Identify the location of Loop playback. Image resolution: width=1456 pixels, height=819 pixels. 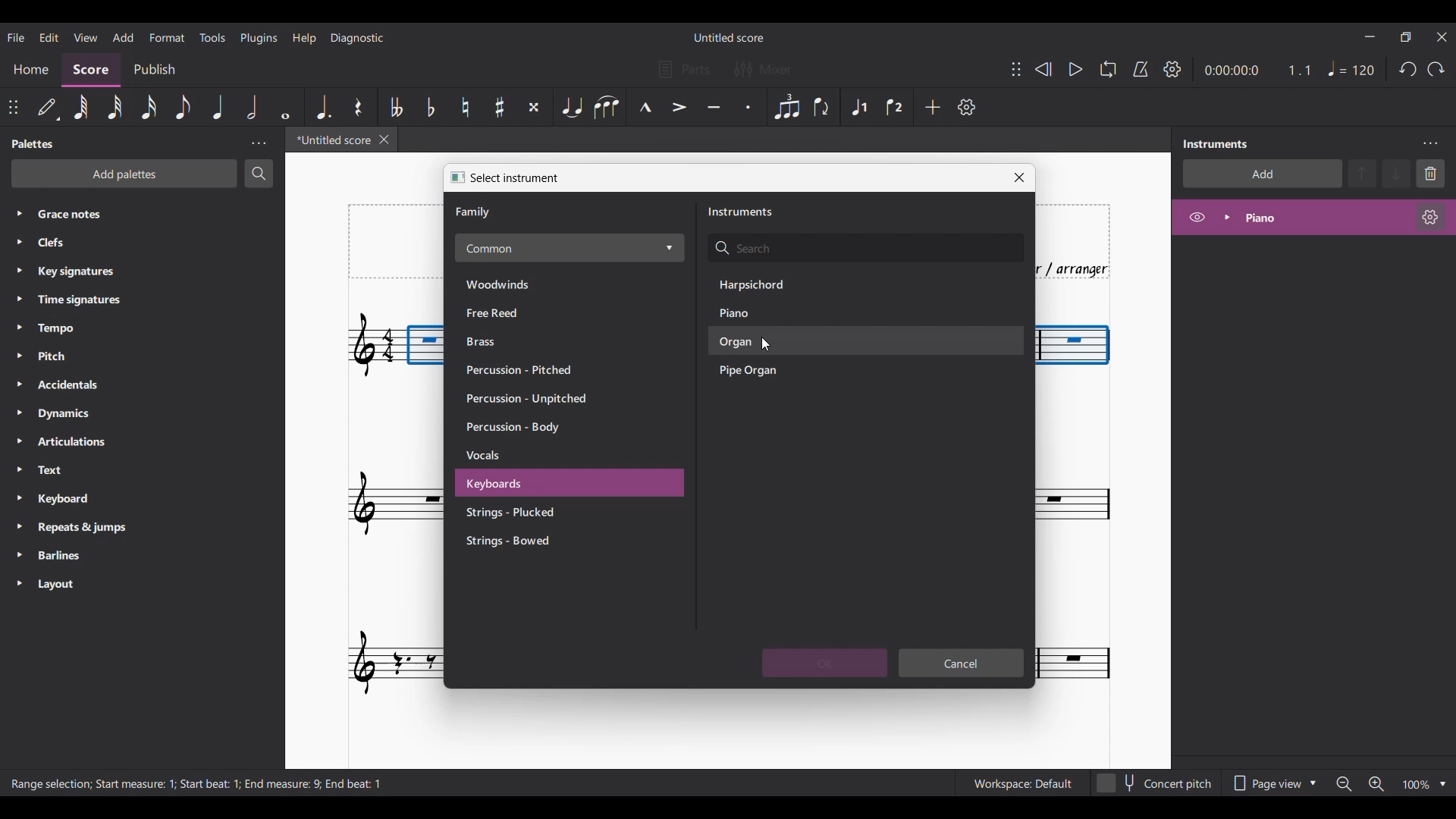
(1108, 69).